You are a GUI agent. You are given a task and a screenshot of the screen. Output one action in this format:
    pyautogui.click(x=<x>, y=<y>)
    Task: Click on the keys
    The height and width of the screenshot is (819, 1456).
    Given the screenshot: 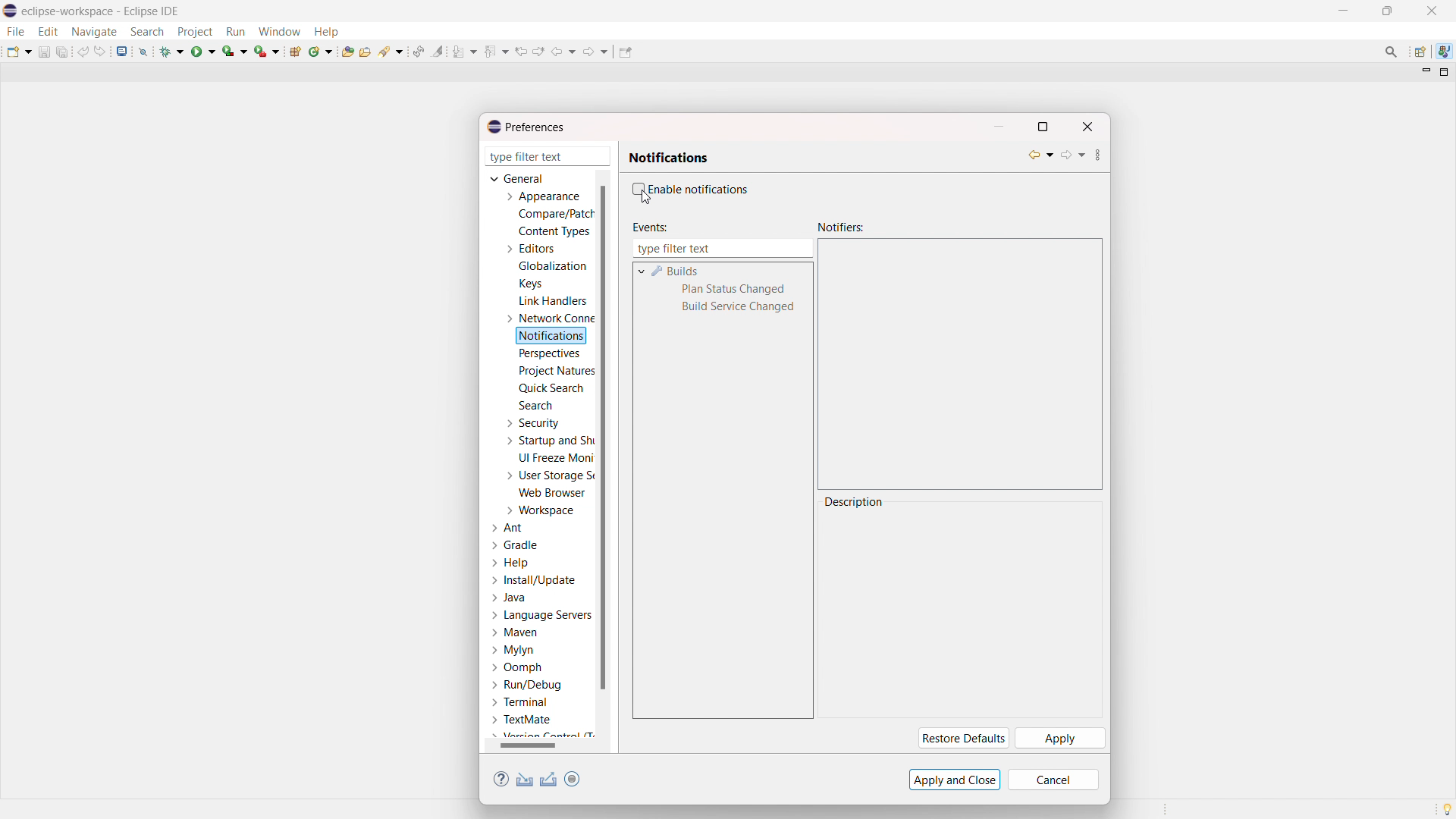 What is the action you would take?
    pyautogui.click(x=530, y=283)
    